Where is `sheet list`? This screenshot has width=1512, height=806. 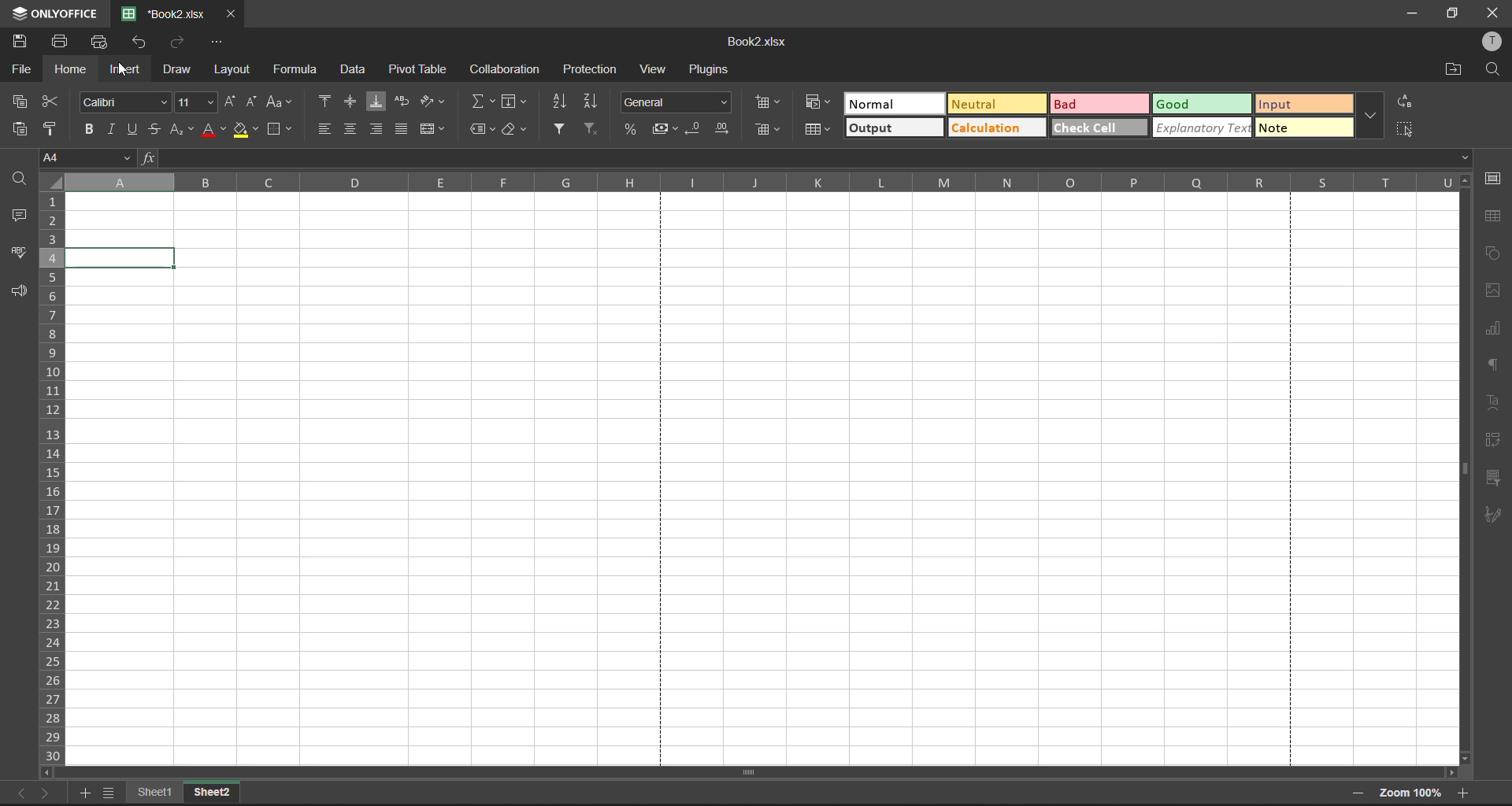 sheet list is located at coordinates (109, 791).